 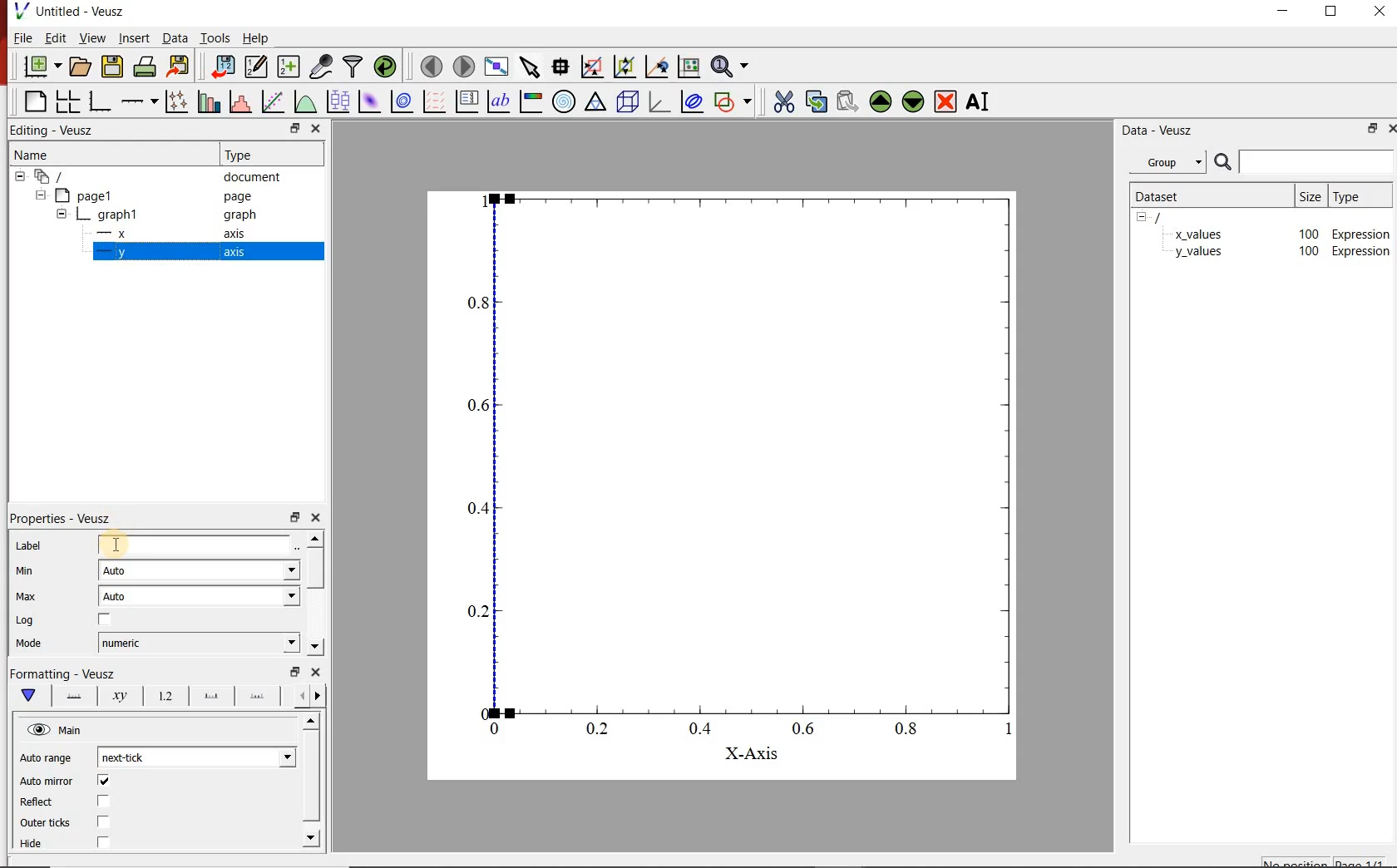 What do you see at coordinates (106, 619) in the screenshot?
I see `checkbox` at bounding box center [106, 619].